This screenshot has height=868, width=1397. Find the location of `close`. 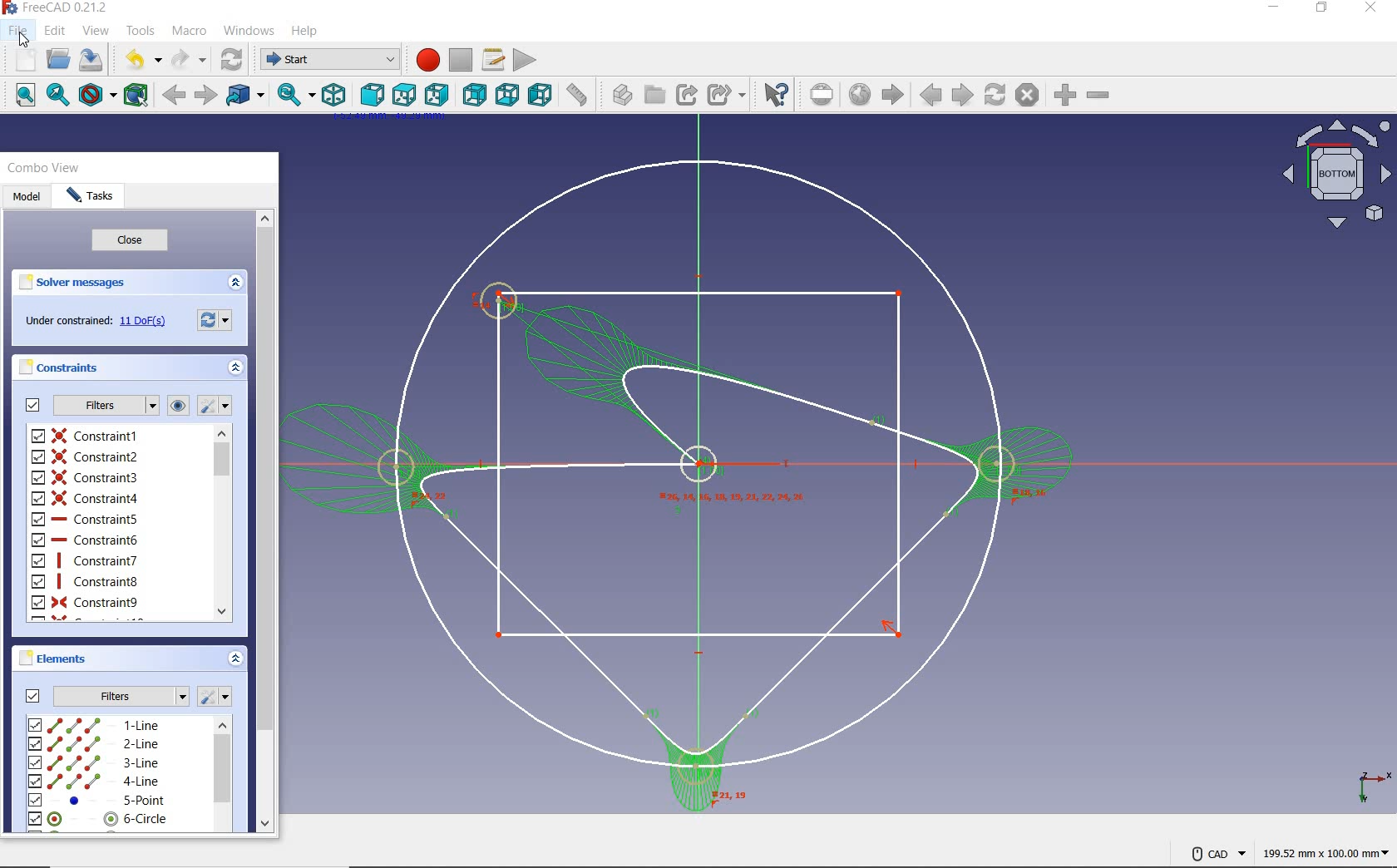

close is located at coordinates (1372, 10).